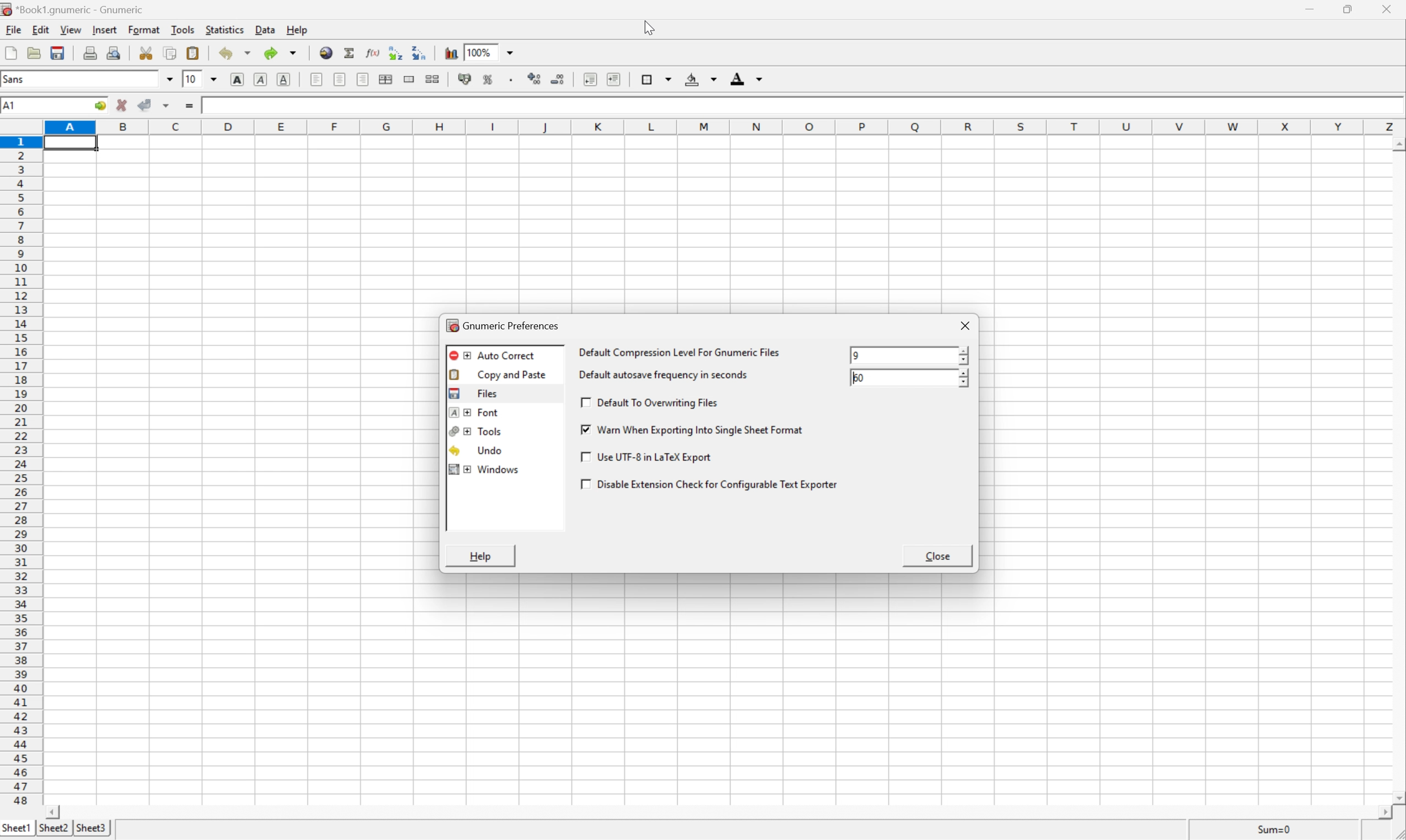 This screenshot has height=840, width=1406. Describe the element at coordinates (648, 457) in the screenshot. I see `use UTF-8 in a LaTex Export` at that location.